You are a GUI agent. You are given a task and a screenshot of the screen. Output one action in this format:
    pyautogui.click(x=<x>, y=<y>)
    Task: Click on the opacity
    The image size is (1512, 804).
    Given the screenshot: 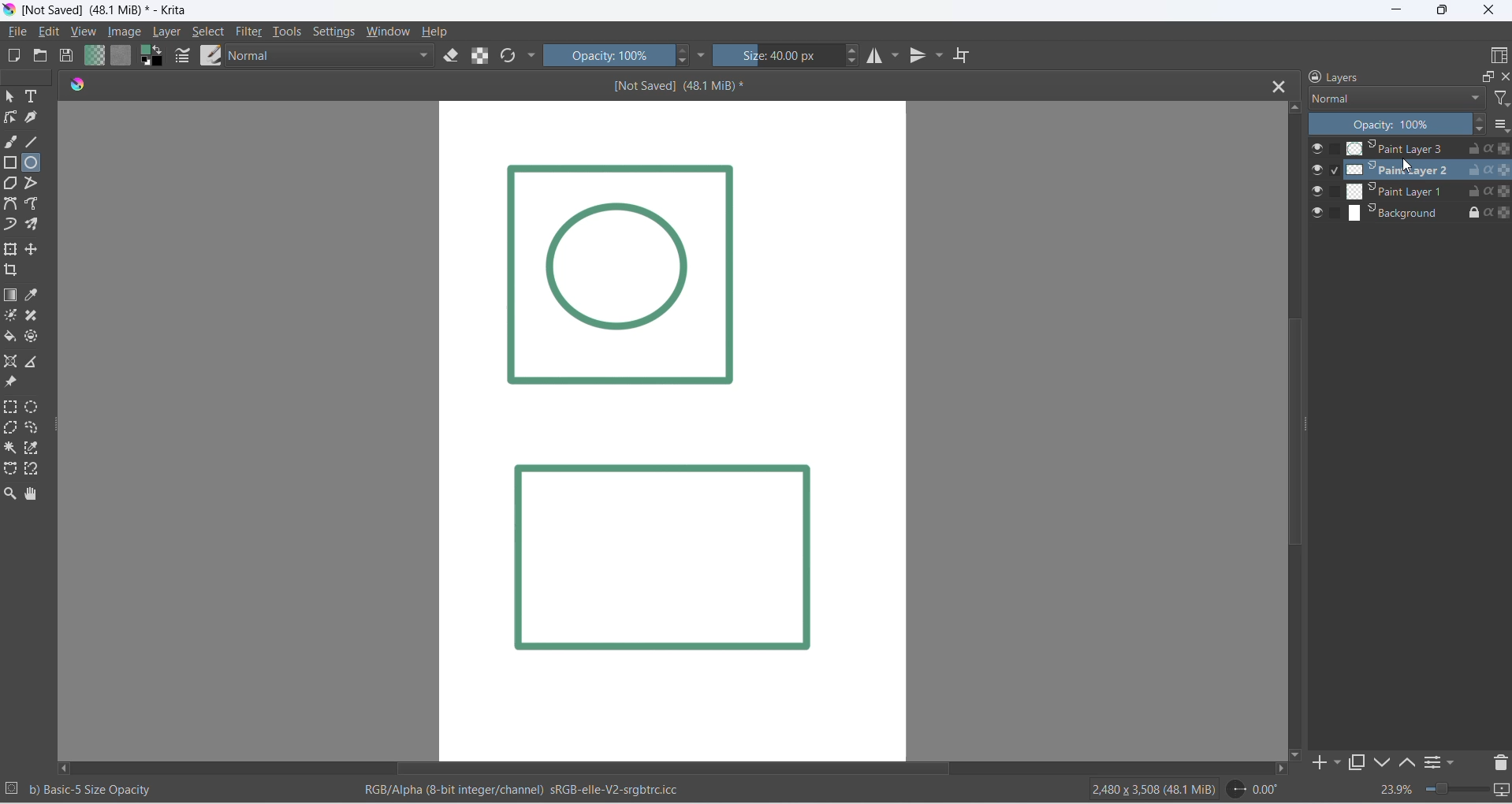 What is the action you would take?
    pyautogui.click(x=1399, y=124)
    